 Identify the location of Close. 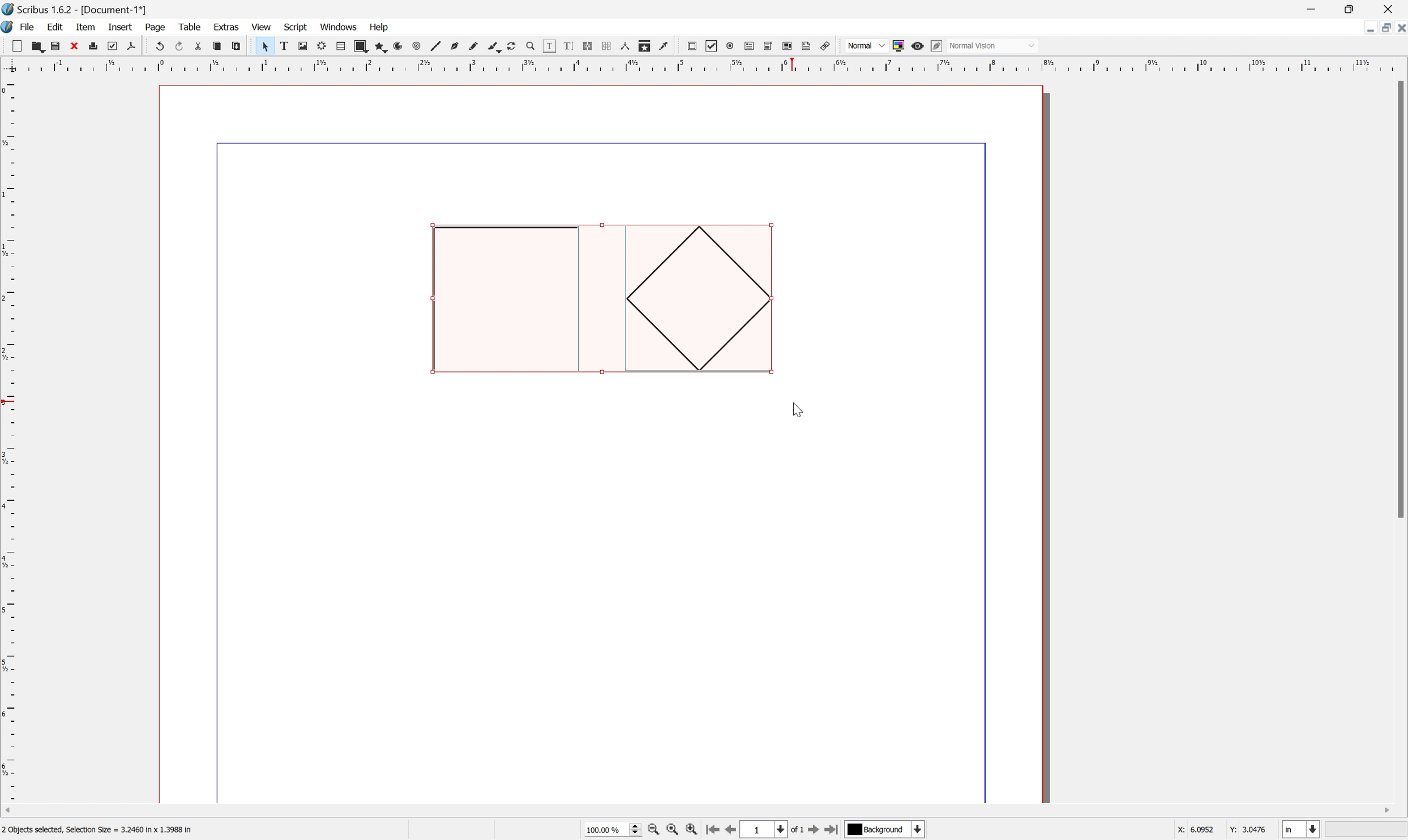
(1399, 27).